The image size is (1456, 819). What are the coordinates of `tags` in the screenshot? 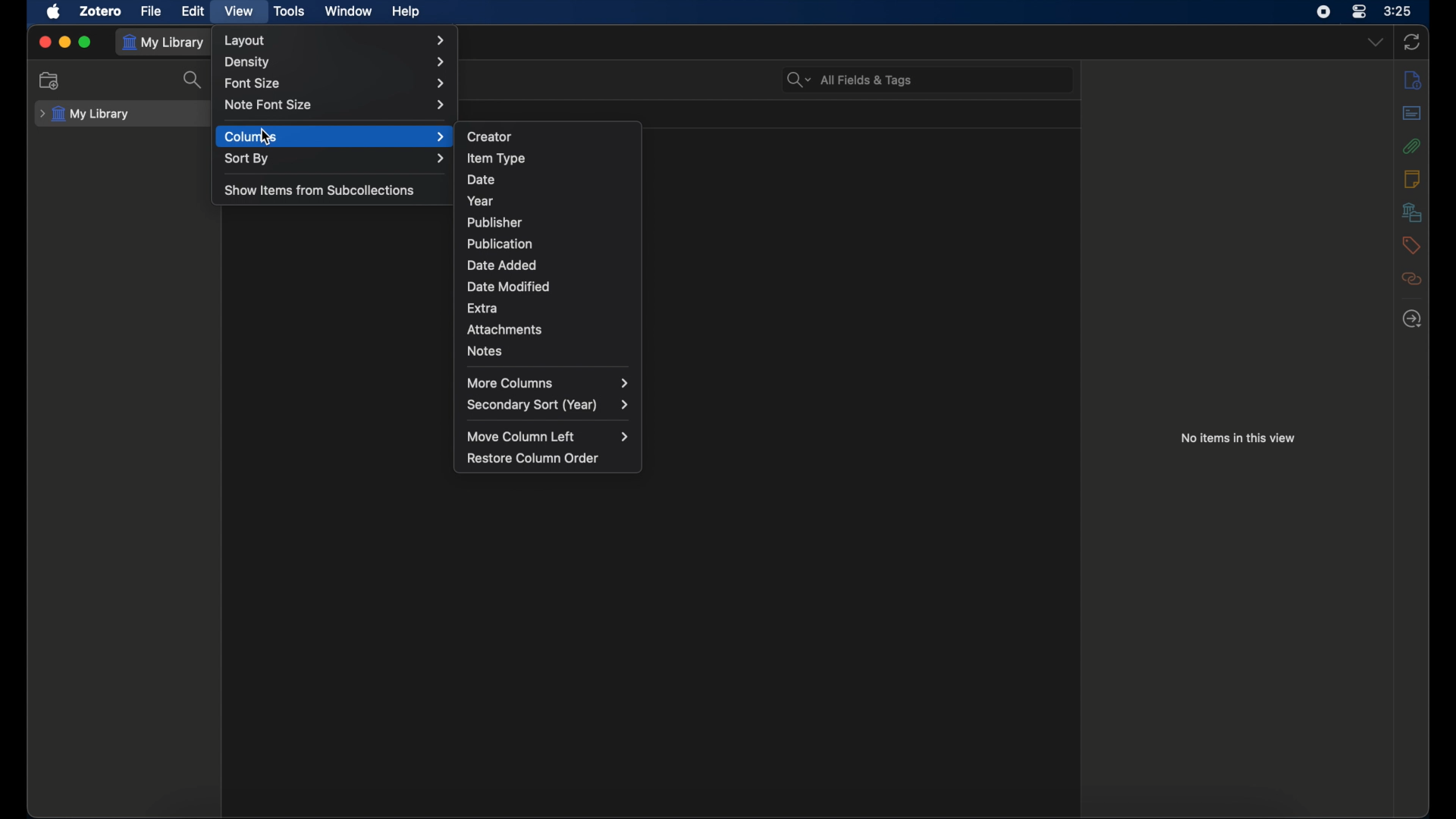 It's located at (1411, 245).